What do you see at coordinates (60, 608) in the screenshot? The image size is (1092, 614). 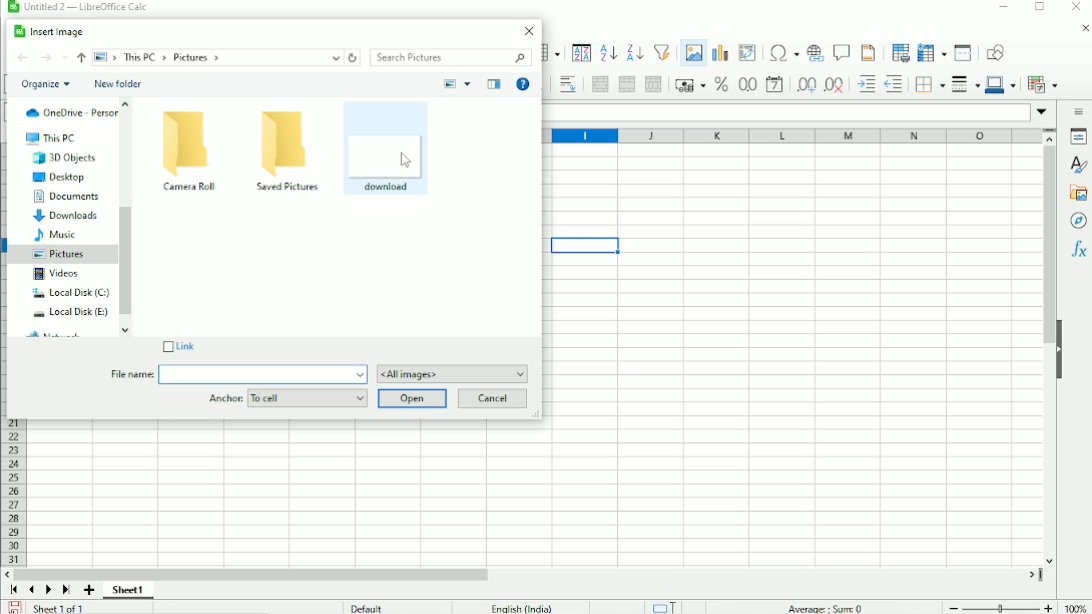 I see `Sheet 1 of 1` at bounding box center [60, 608].